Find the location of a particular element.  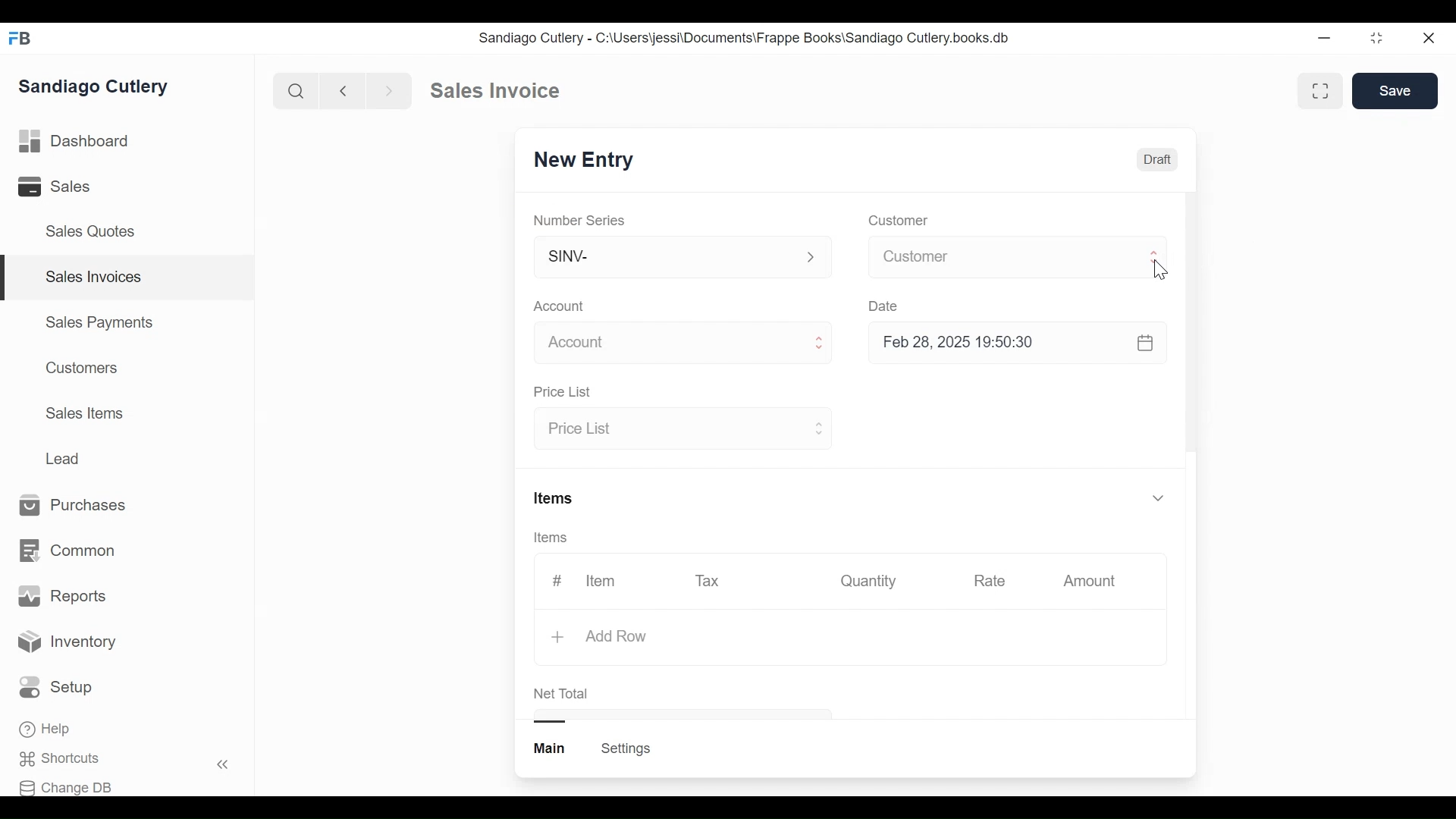

Sales Invoice is located at coordinates (494, 91).